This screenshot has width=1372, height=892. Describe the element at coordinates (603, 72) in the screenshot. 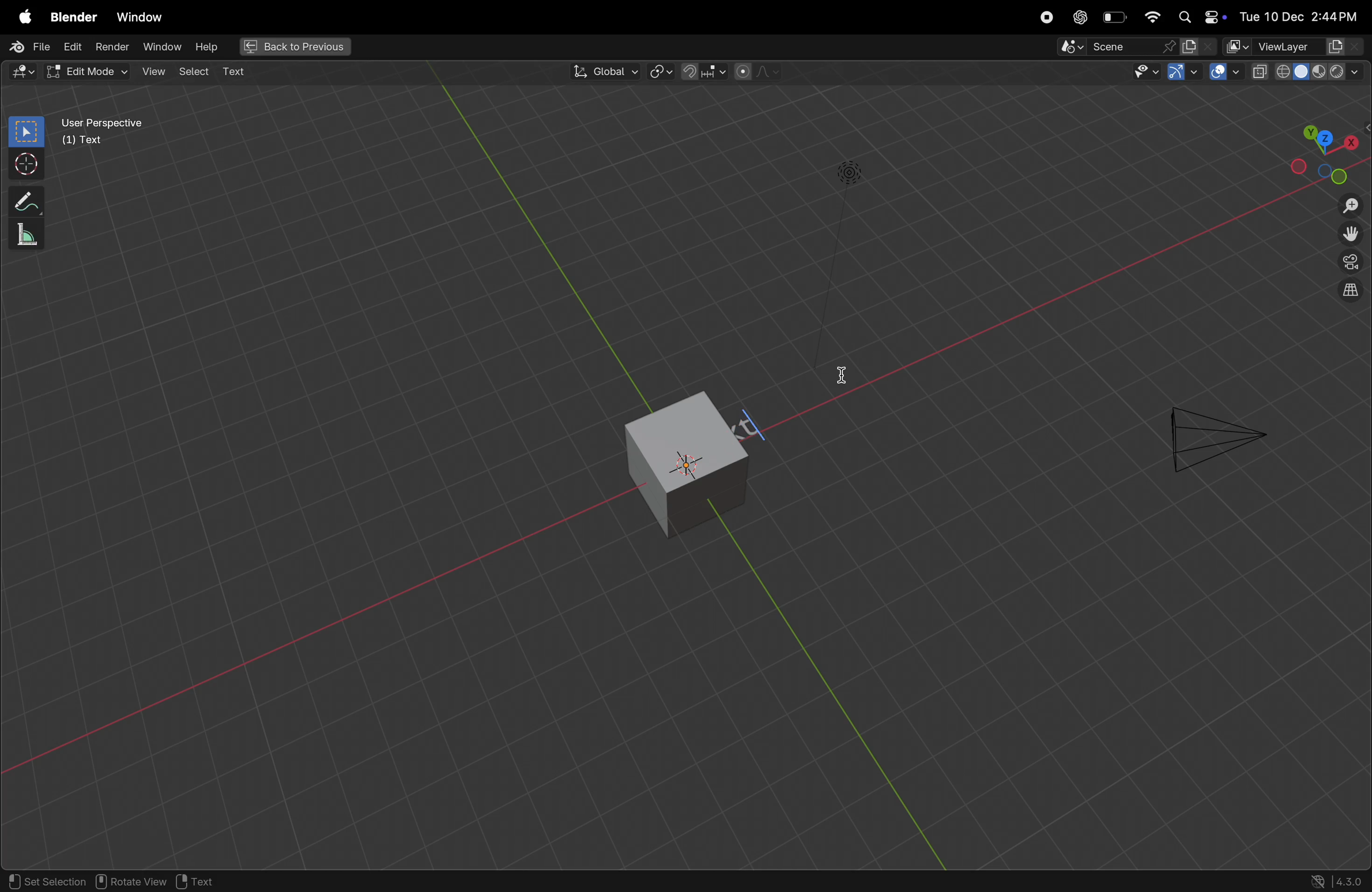

I see `Global` at that location.